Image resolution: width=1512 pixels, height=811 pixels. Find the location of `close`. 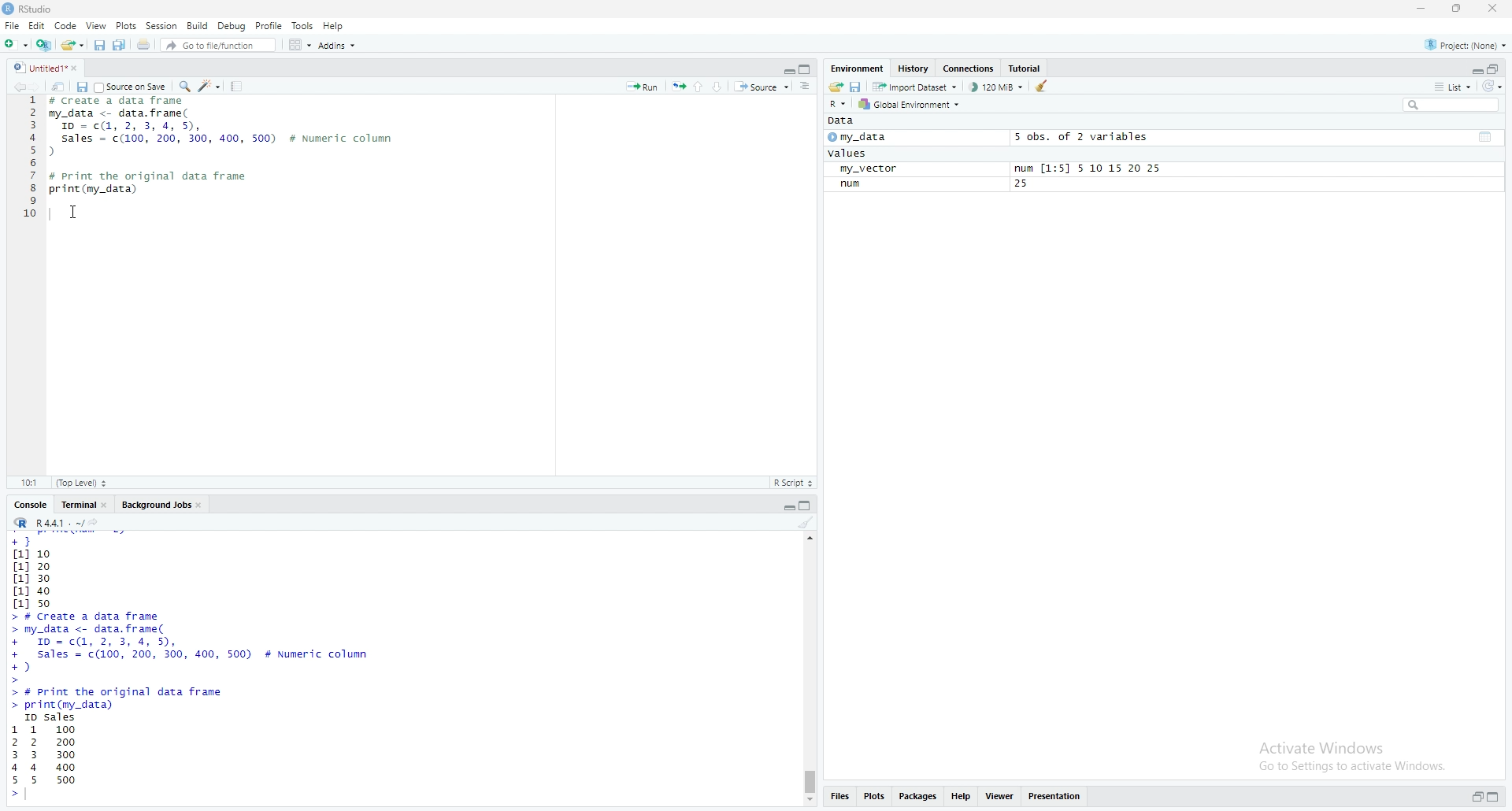

close is located at coordinates (206, 507).